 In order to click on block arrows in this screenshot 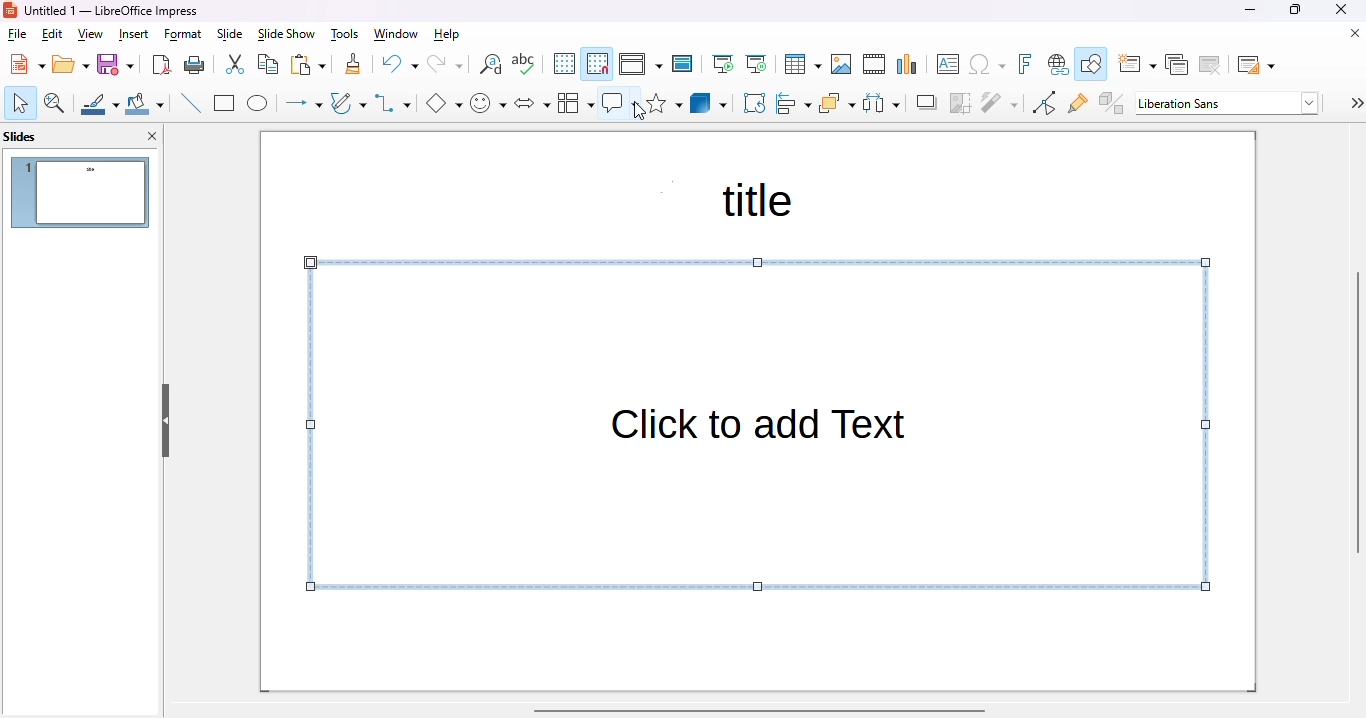, I will do `click(532, 104)`.